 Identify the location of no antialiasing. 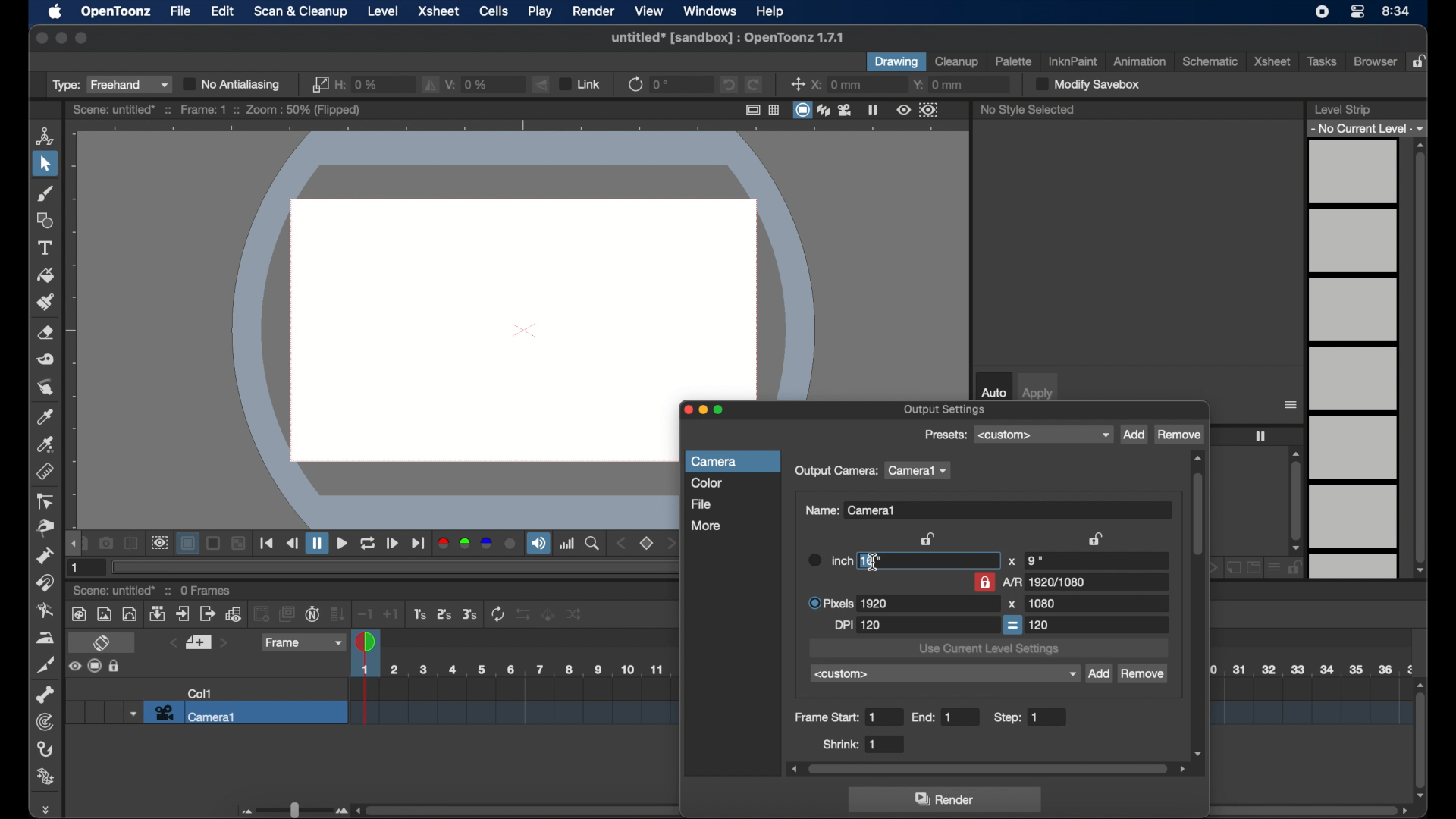
(233, 84).